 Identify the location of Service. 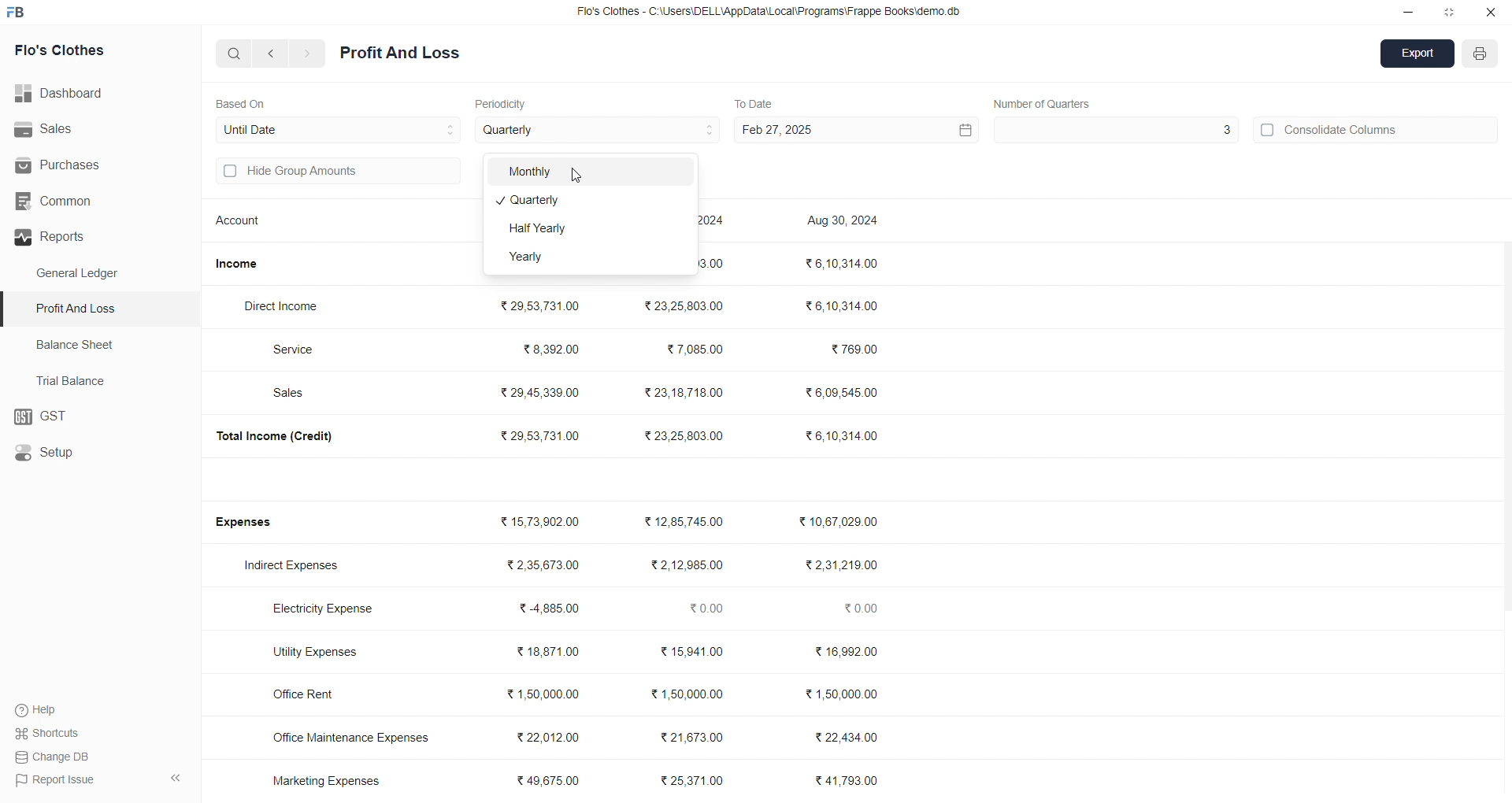
(302, 349).